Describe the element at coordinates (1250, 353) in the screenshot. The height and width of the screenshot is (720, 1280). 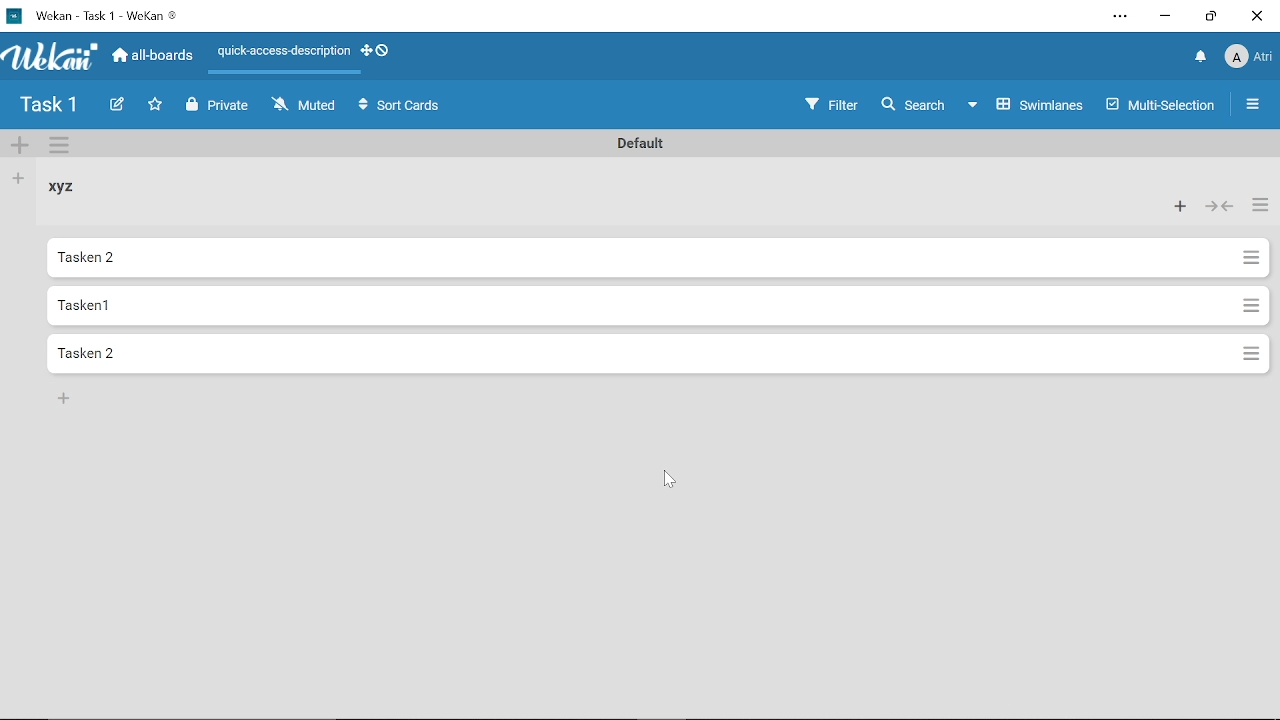
I see `List actions` at that location.